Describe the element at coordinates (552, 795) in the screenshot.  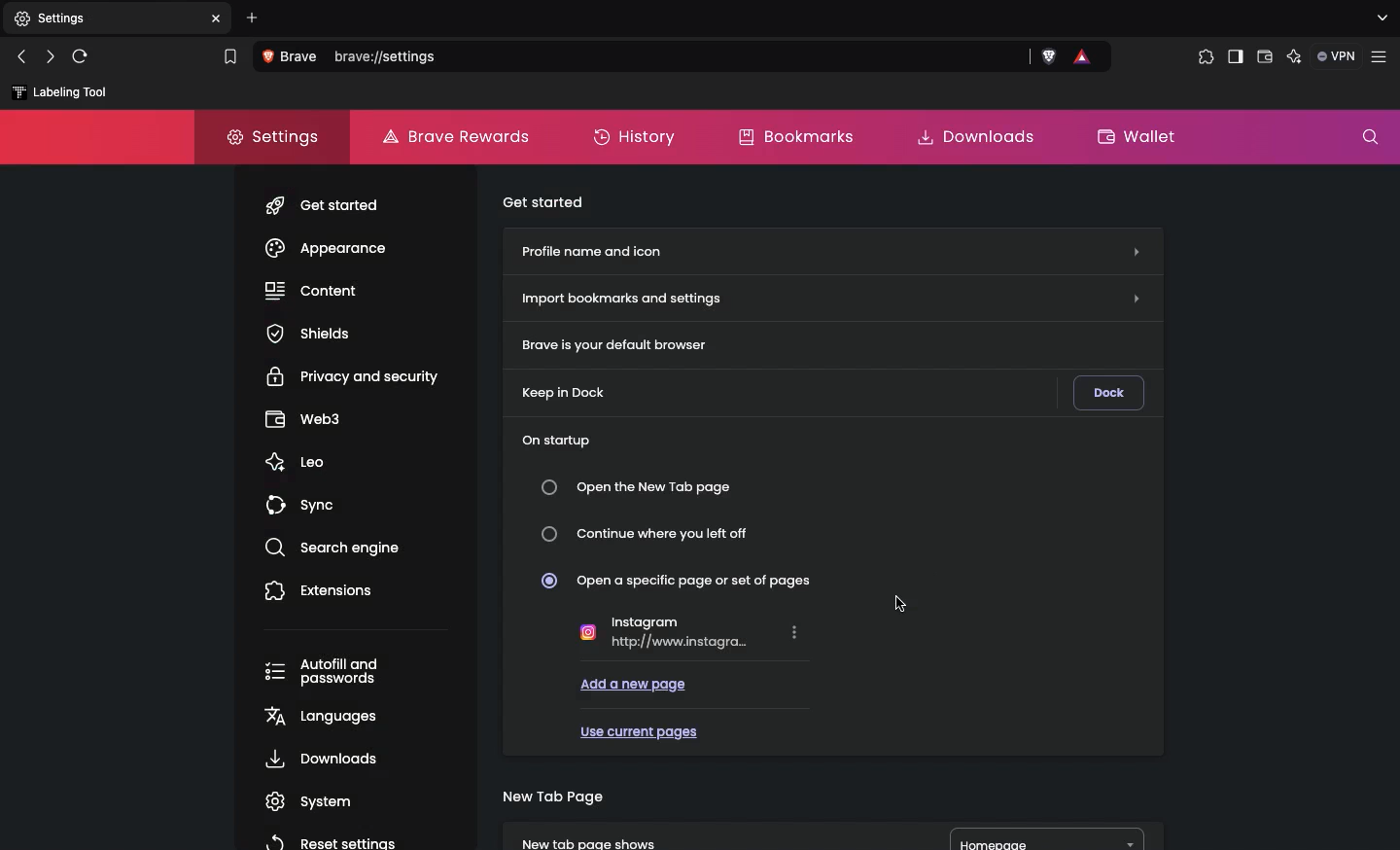
I see `New tab page` at that location.